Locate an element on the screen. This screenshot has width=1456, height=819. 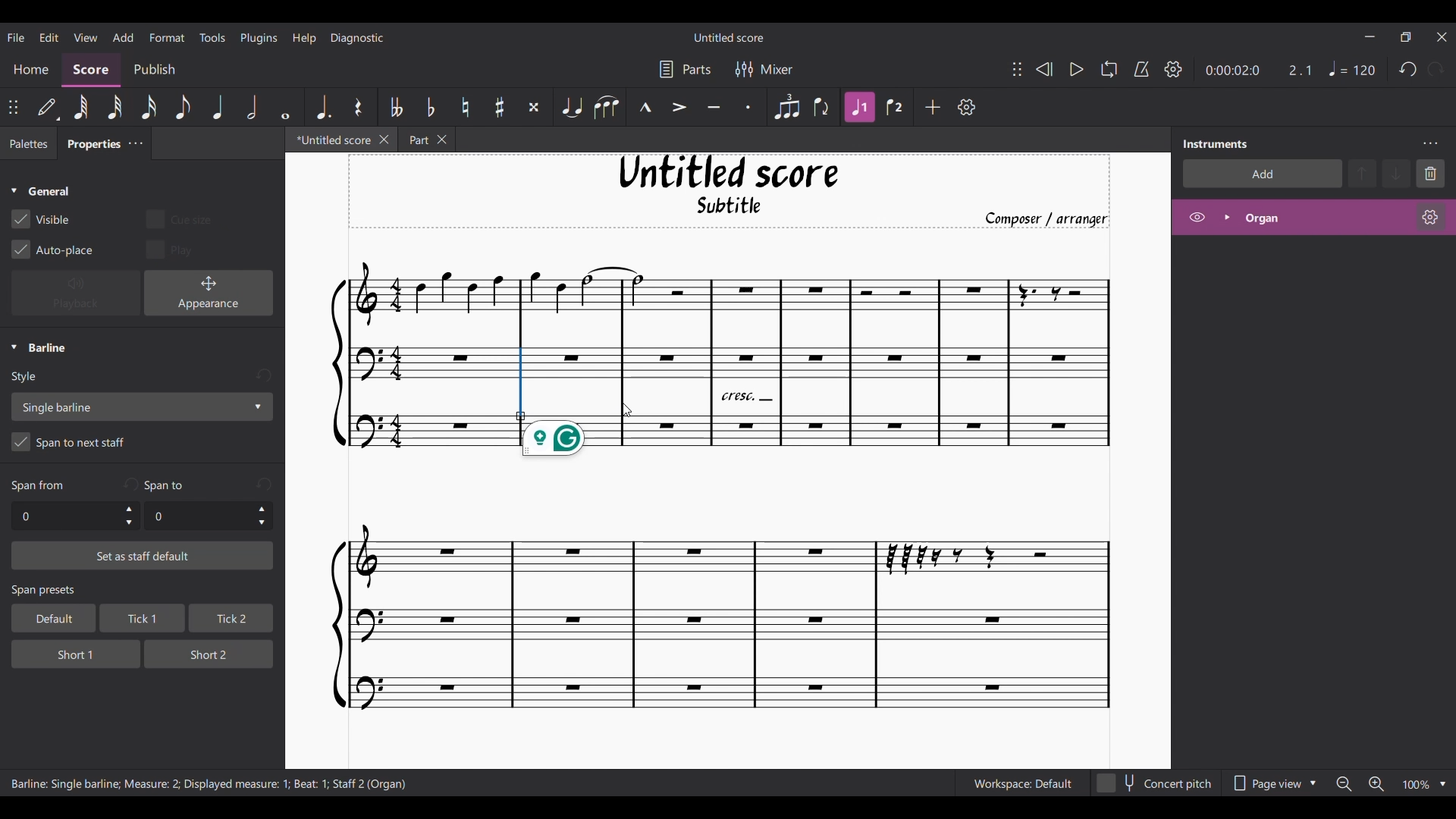
Close/Undock Properties tab is located at coordinates (135, 143).